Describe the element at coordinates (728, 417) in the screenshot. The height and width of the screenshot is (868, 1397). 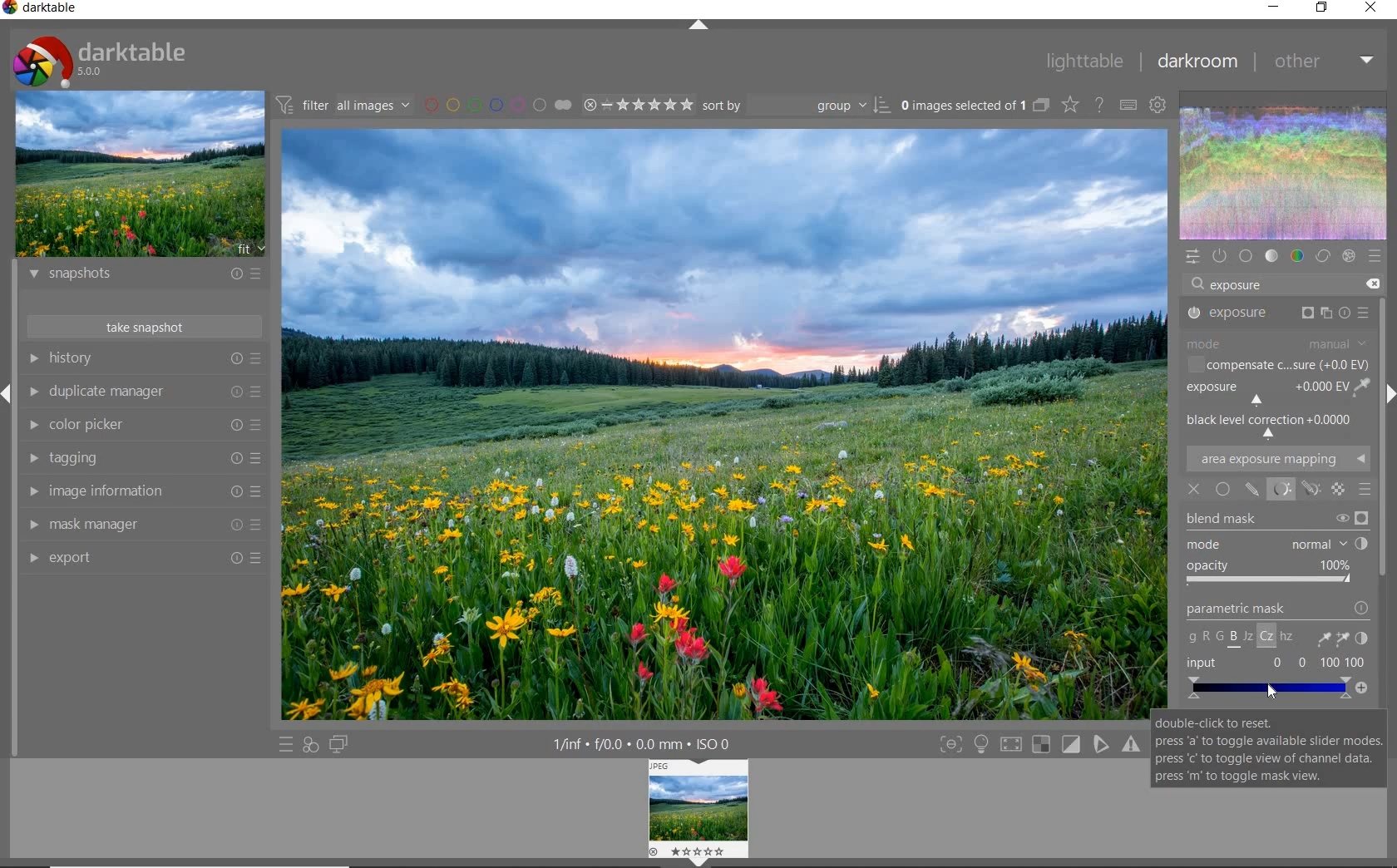
I see `selected image` at that location.